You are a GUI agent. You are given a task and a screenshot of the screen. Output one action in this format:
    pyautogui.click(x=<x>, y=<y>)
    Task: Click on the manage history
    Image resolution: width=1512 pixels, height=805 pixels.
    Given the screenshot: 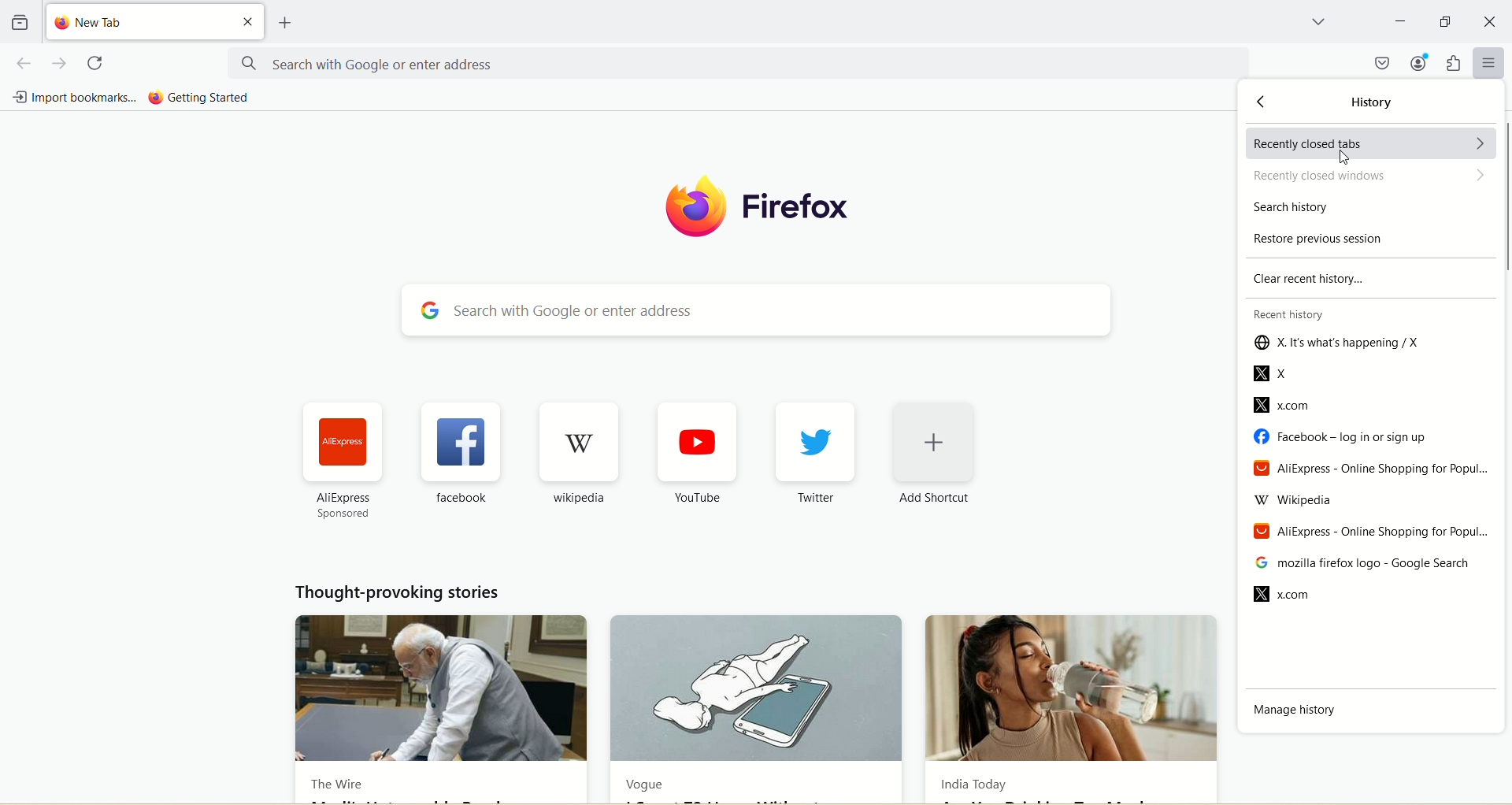 What is the action you would take?
    pyautogui.click(x=1373, y=710)
    